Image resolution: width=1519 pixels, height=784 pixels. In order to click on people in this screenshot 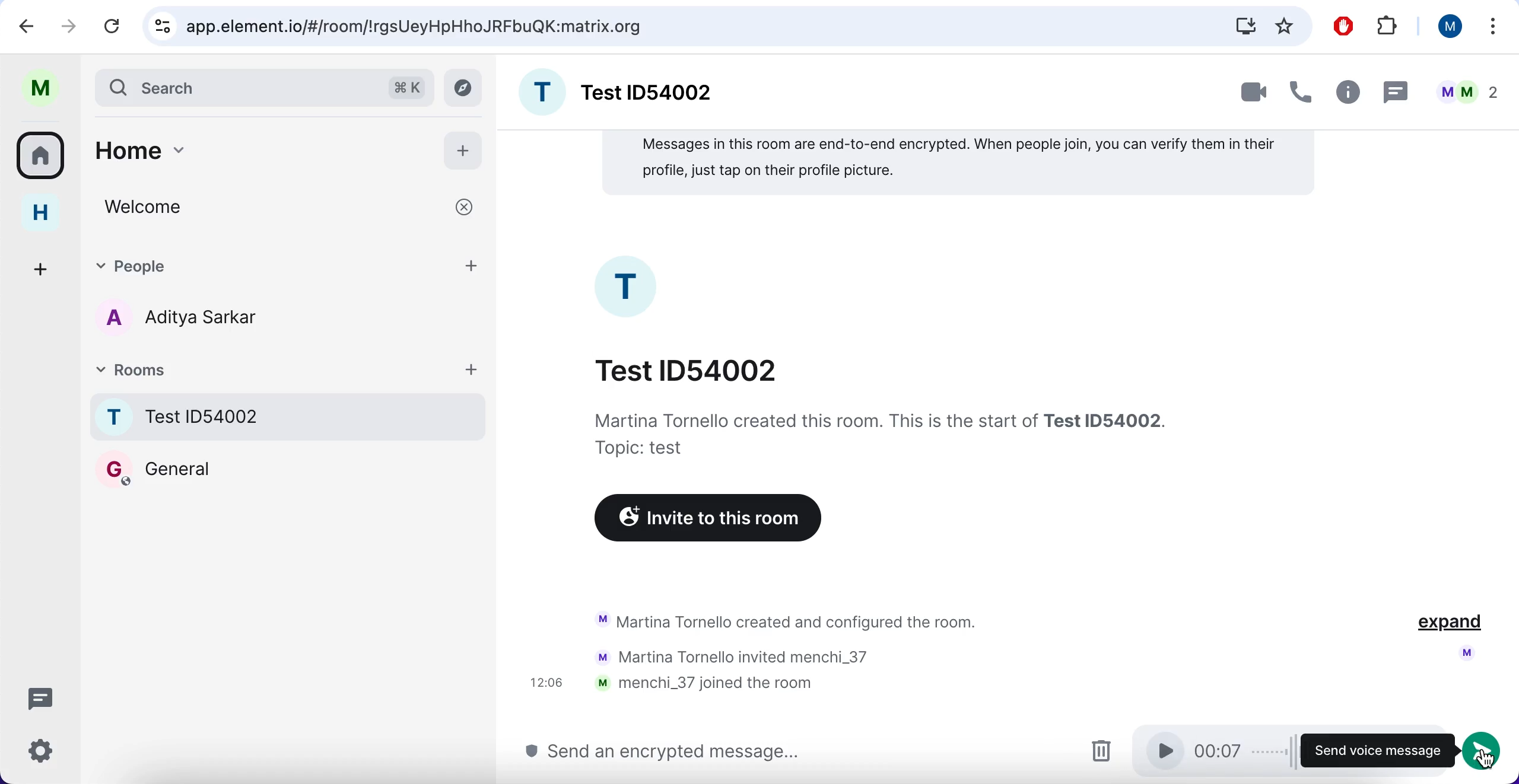, I will do `click(290, 265)`.